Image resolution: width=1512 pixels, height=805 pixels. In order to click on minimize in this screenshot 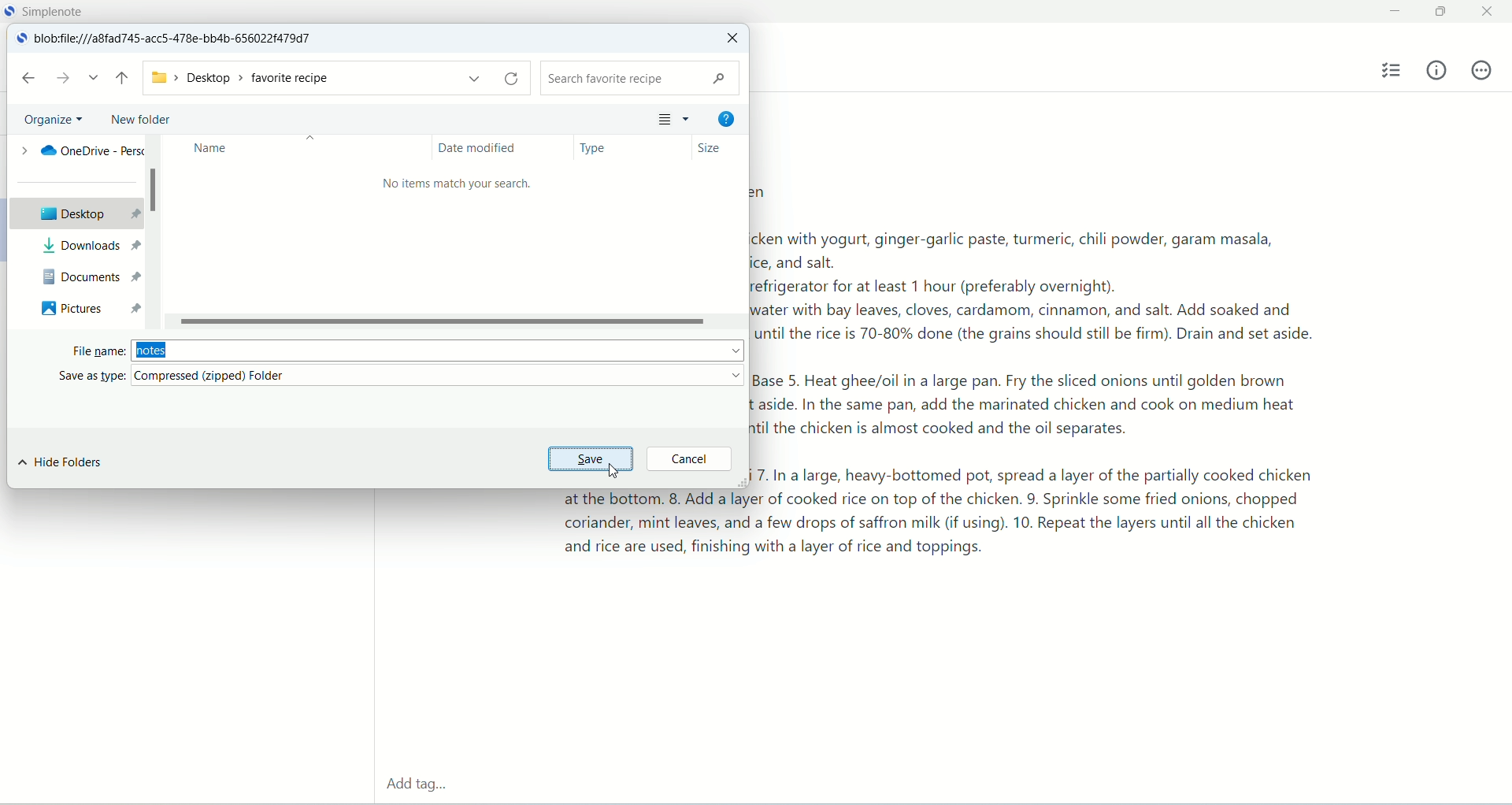, I will do `click(1392, 12)`.